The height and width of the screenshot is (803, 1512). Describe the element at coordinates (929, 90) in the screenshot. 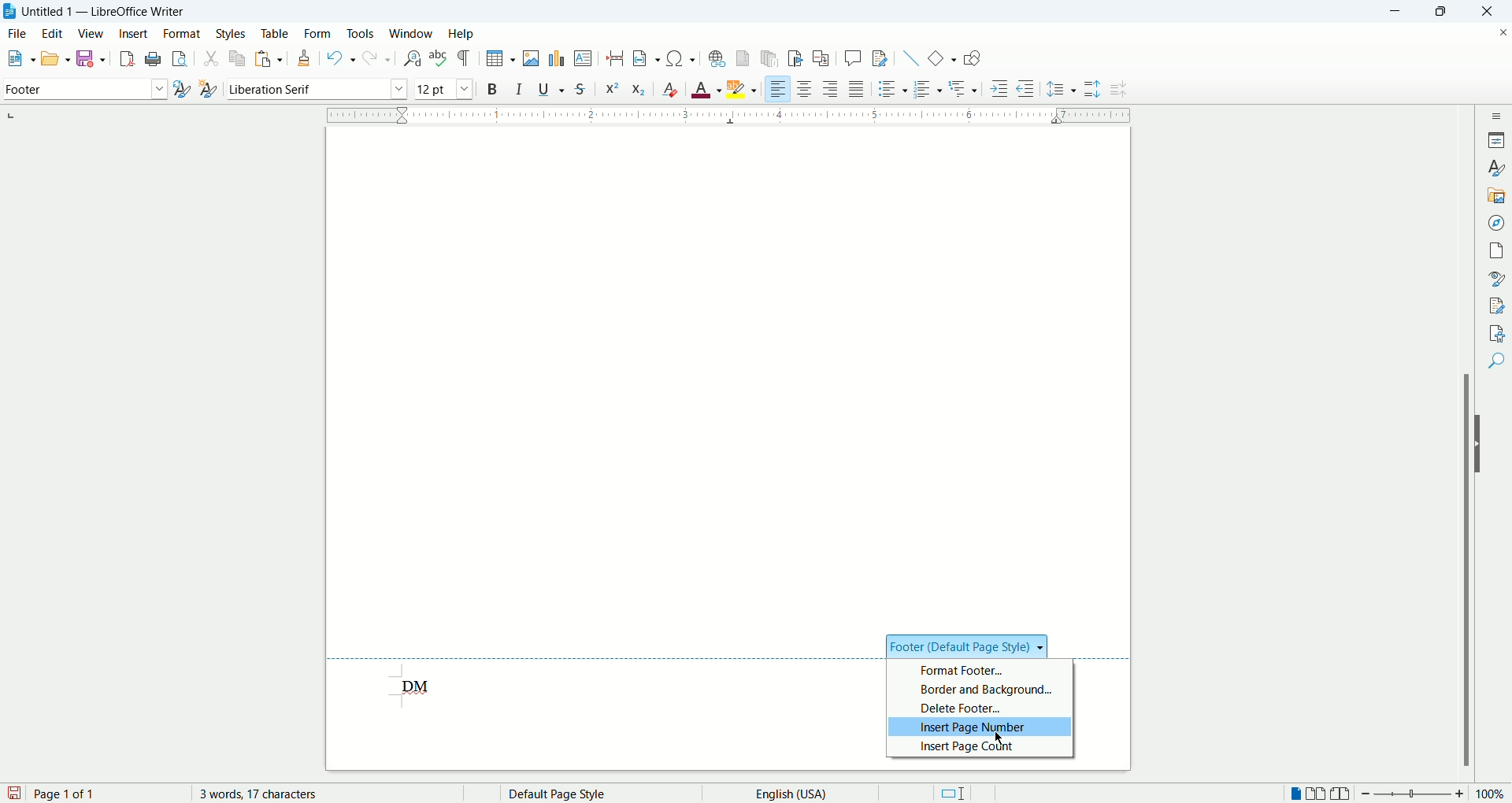

I see `ordered list` at that location.